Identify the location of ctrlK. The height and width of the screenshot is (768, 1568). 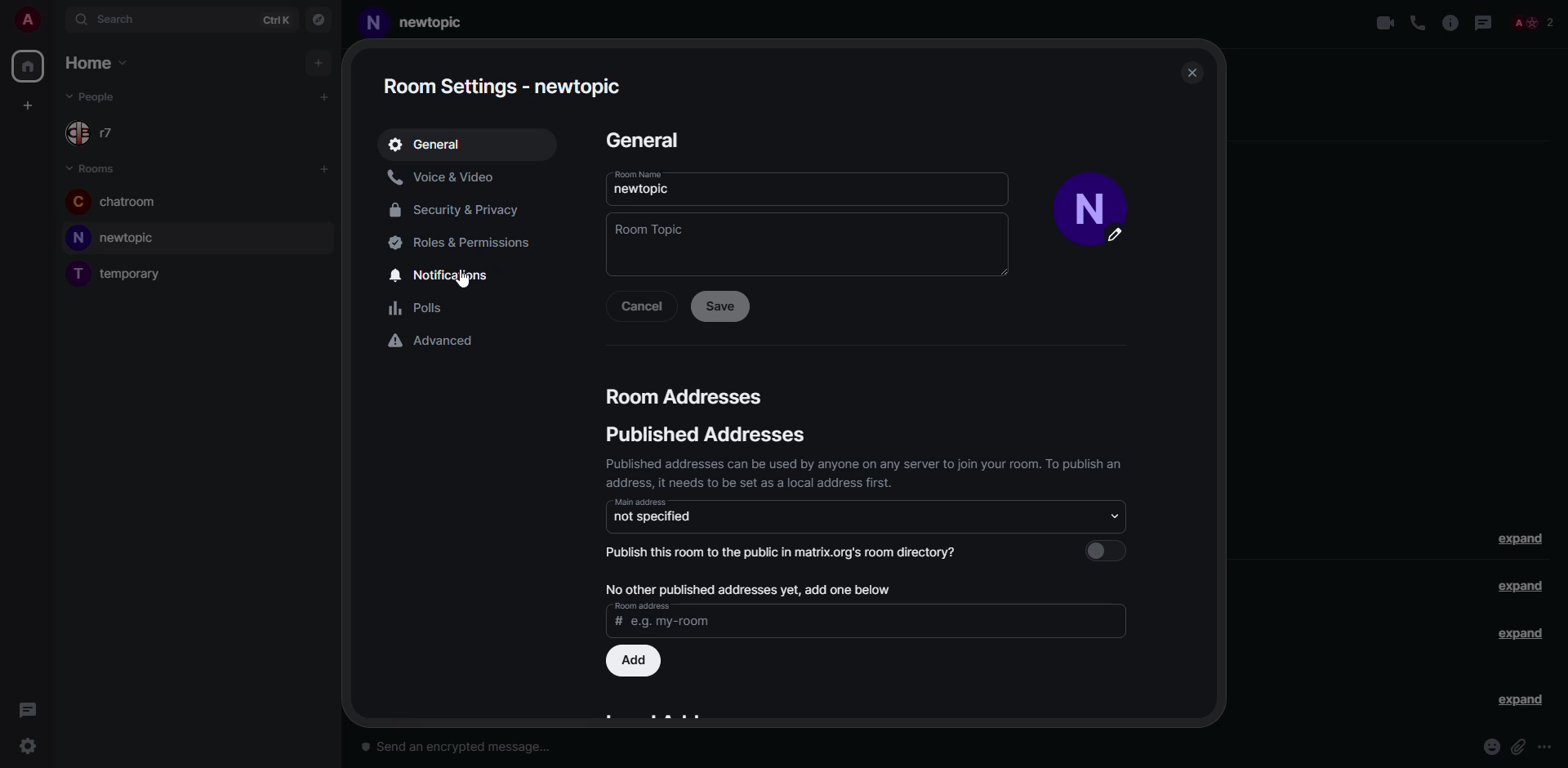
(276, 22).